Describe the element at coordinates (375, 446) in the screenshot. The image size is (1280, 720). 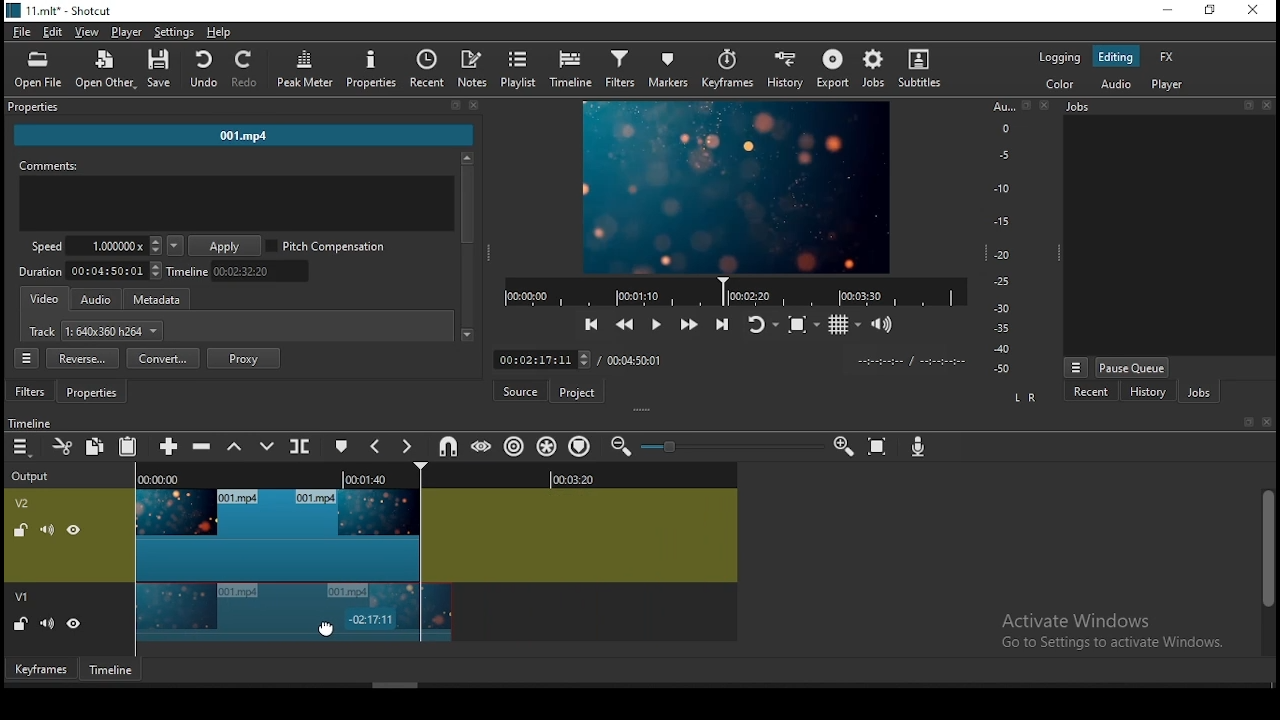
I see `previous marker` at that location.